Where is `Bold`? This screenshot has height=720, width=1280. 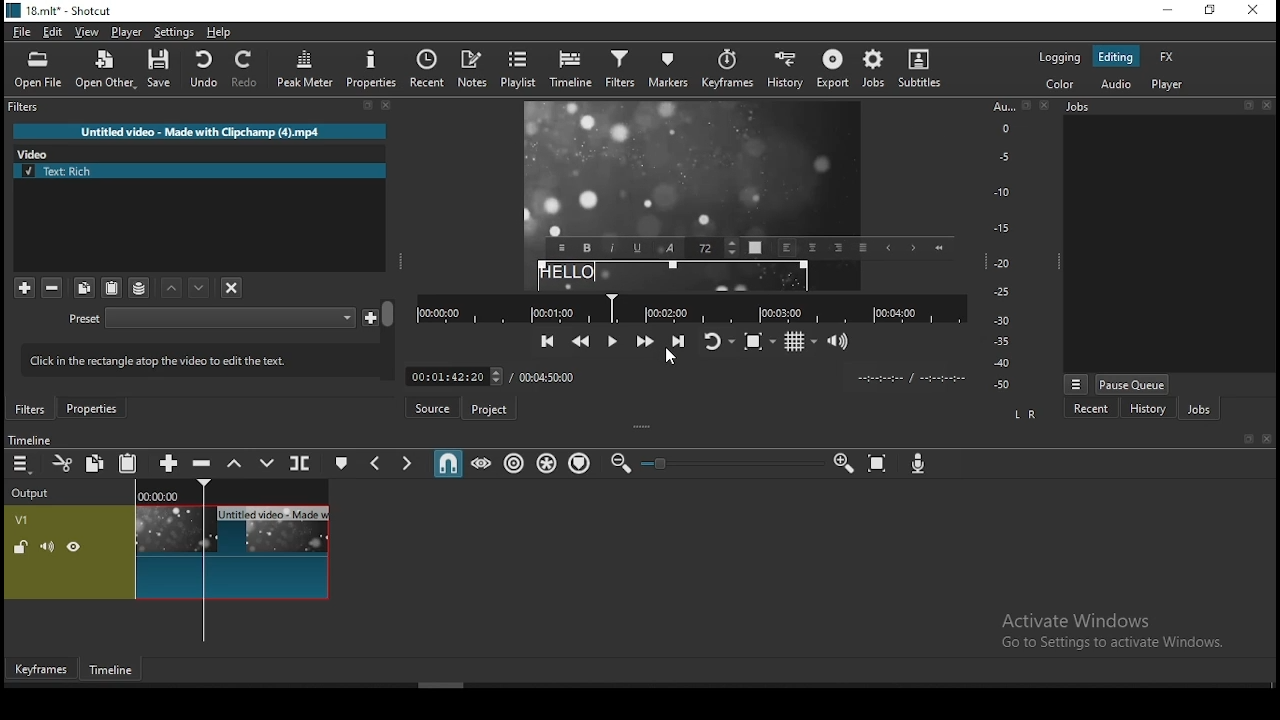
Bold is located at coordinates (587, 248).